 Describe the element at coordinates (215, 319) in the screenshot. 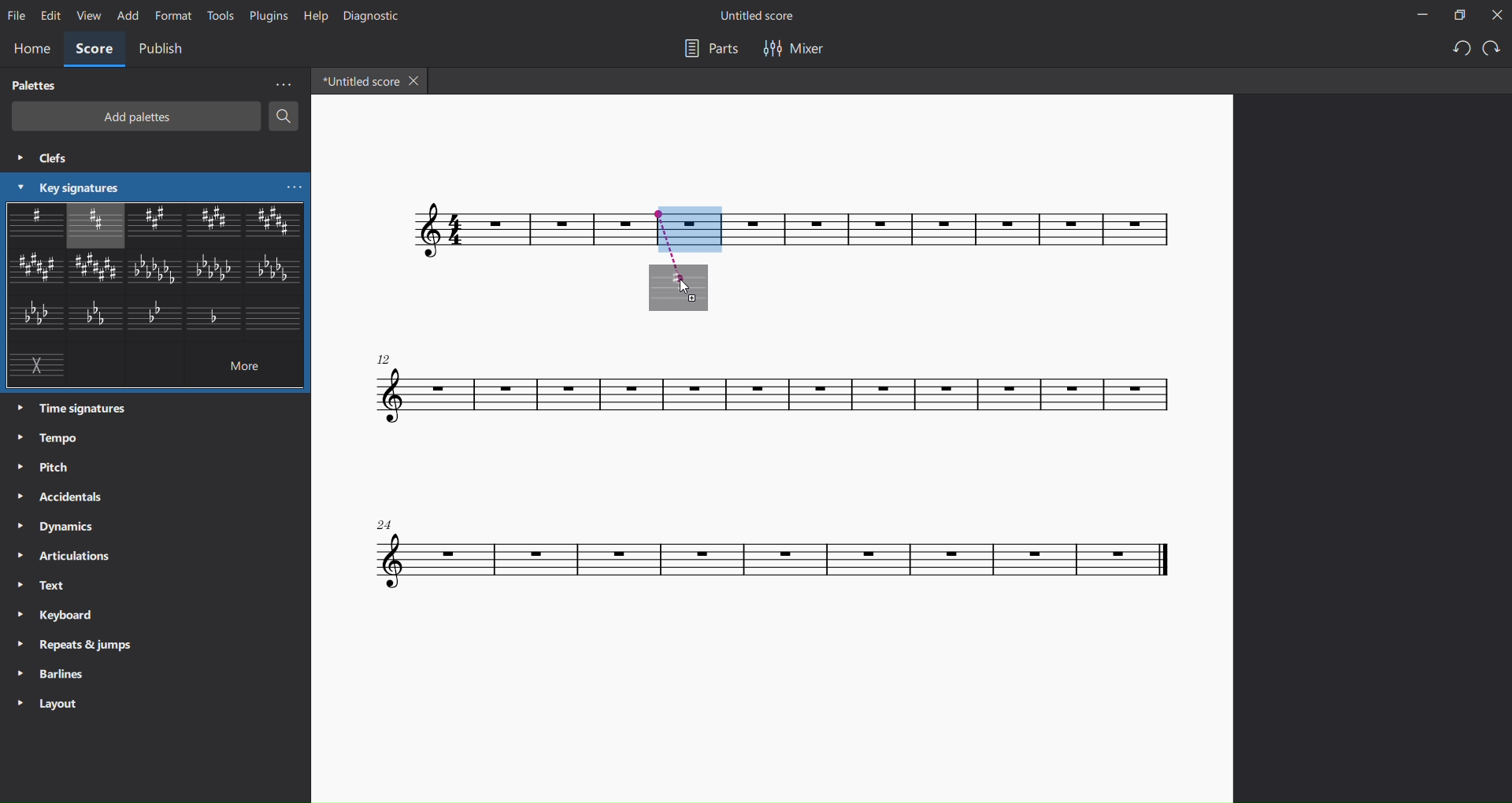

I see `other key signature` at that location.